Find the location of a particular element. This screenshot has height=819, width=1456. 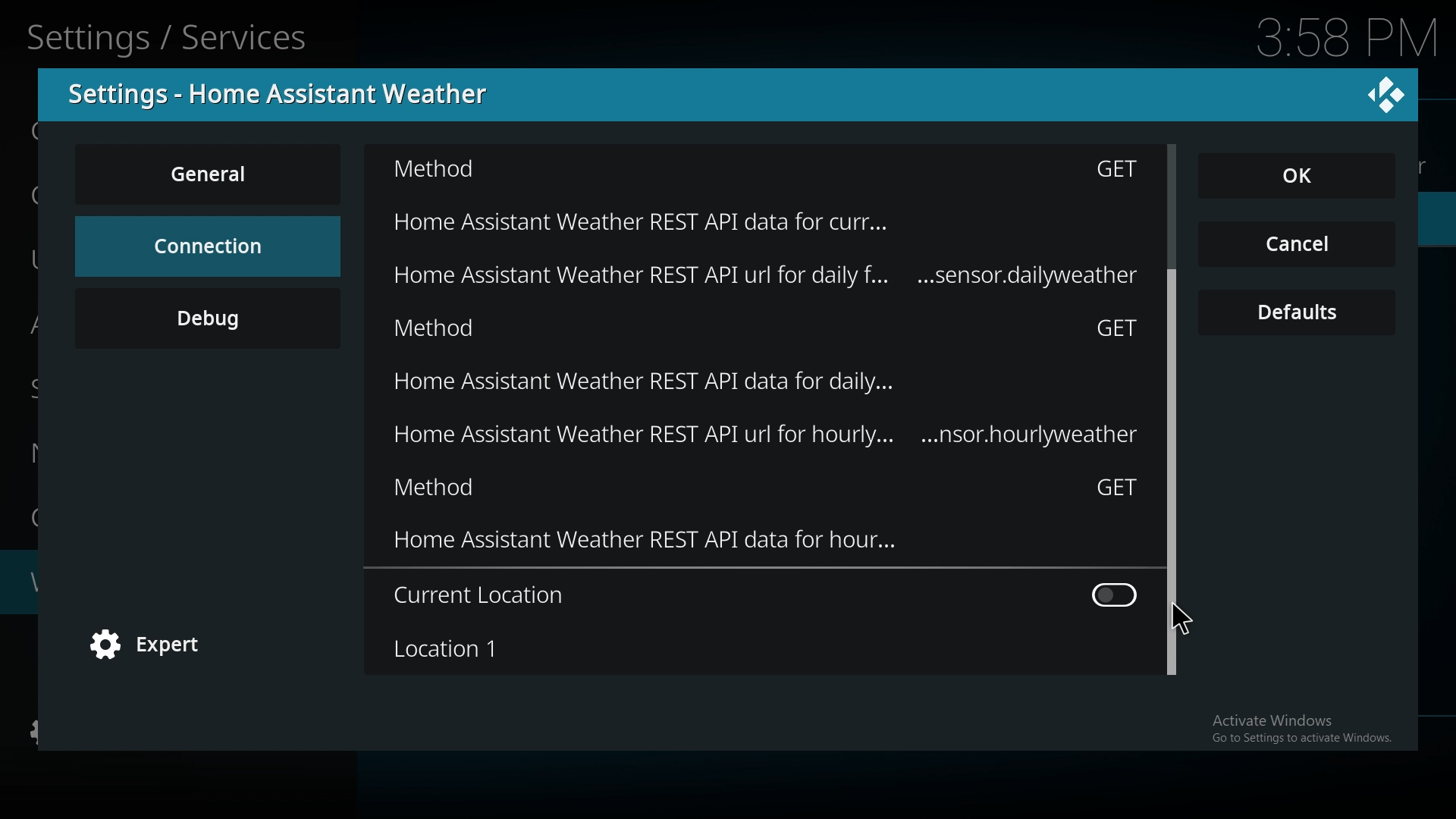

cursor is located at coordinates (1183, 620).